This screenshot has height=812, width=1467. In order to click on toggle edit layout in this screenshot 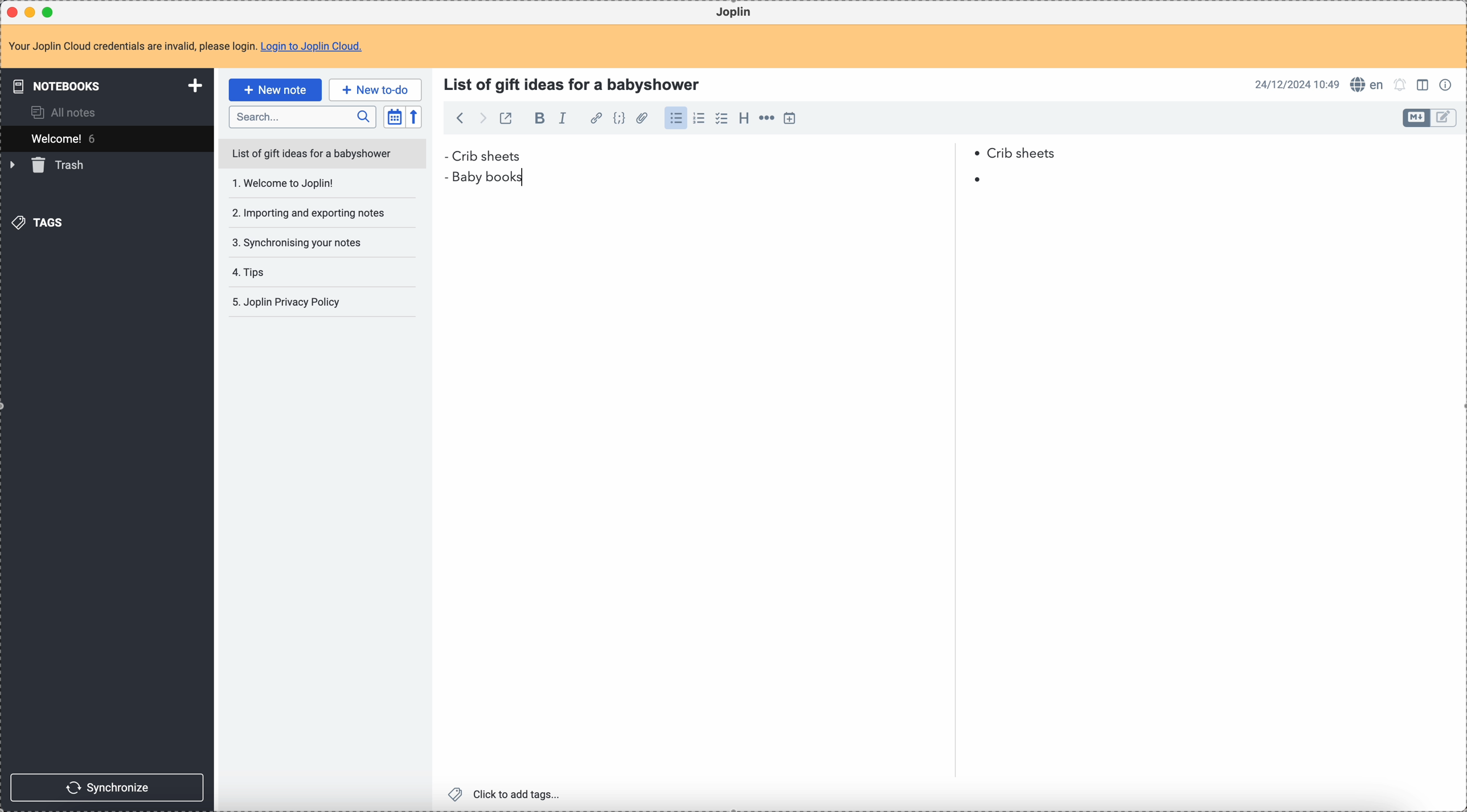, I will do `click(1416, 118)`.